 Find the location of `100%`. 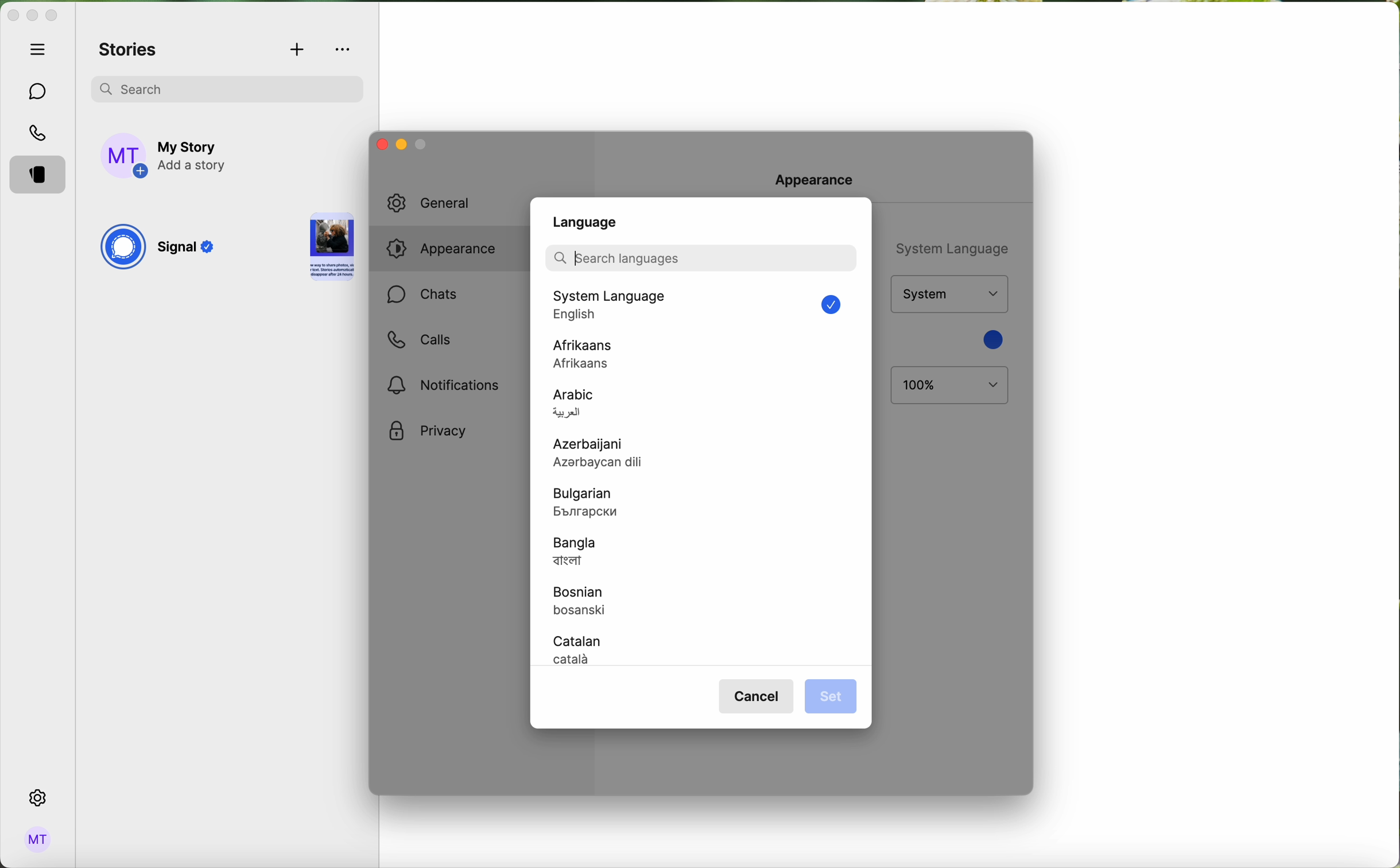

100% is located at coordinates (950, 386).